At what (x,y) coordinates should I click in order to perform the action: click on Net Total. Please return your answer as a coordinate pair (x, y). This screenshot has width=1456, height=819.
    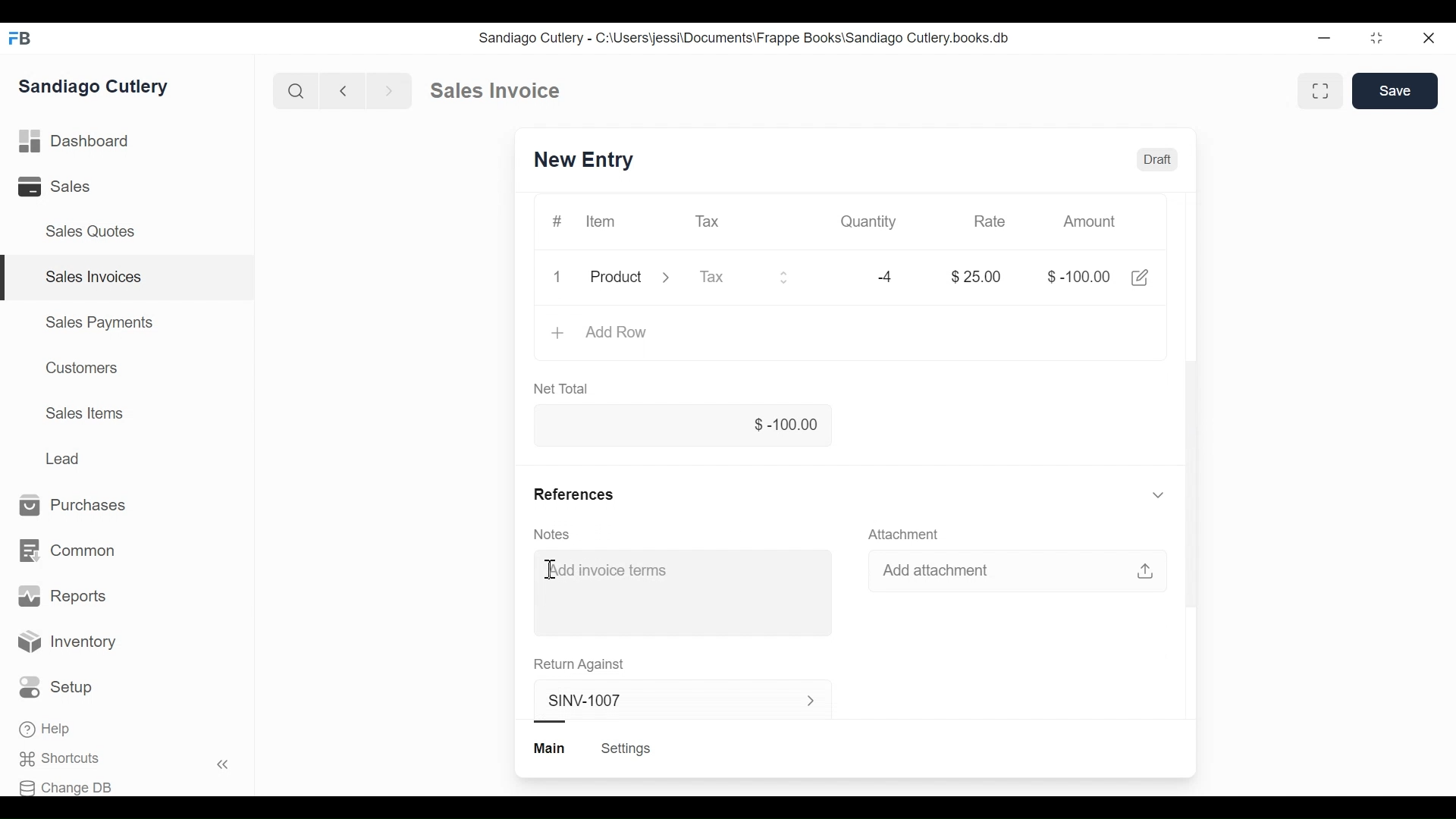
    Looking at the image, I should click on (564, 388).